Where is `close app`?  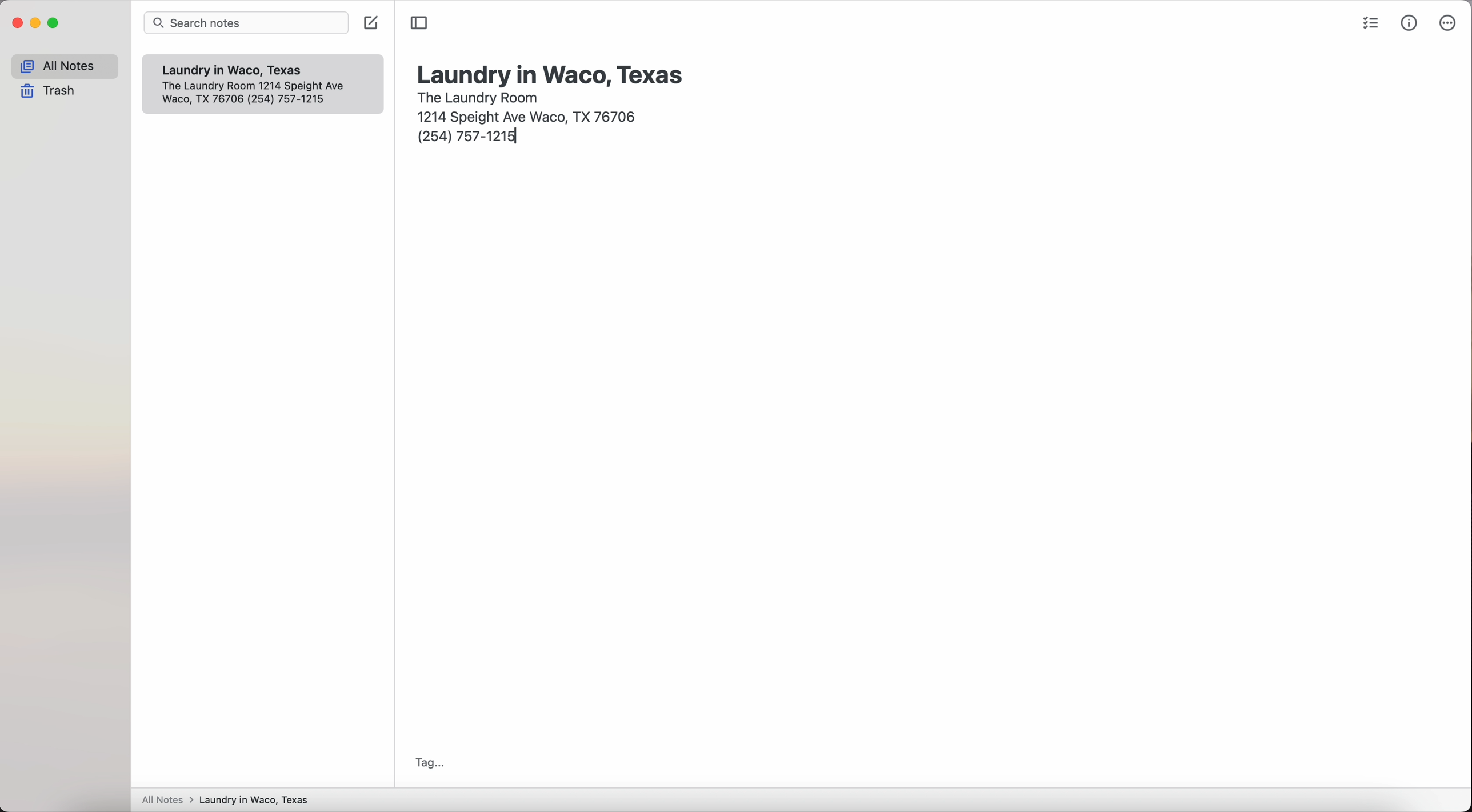 close app is located at coordinates (18, 23).